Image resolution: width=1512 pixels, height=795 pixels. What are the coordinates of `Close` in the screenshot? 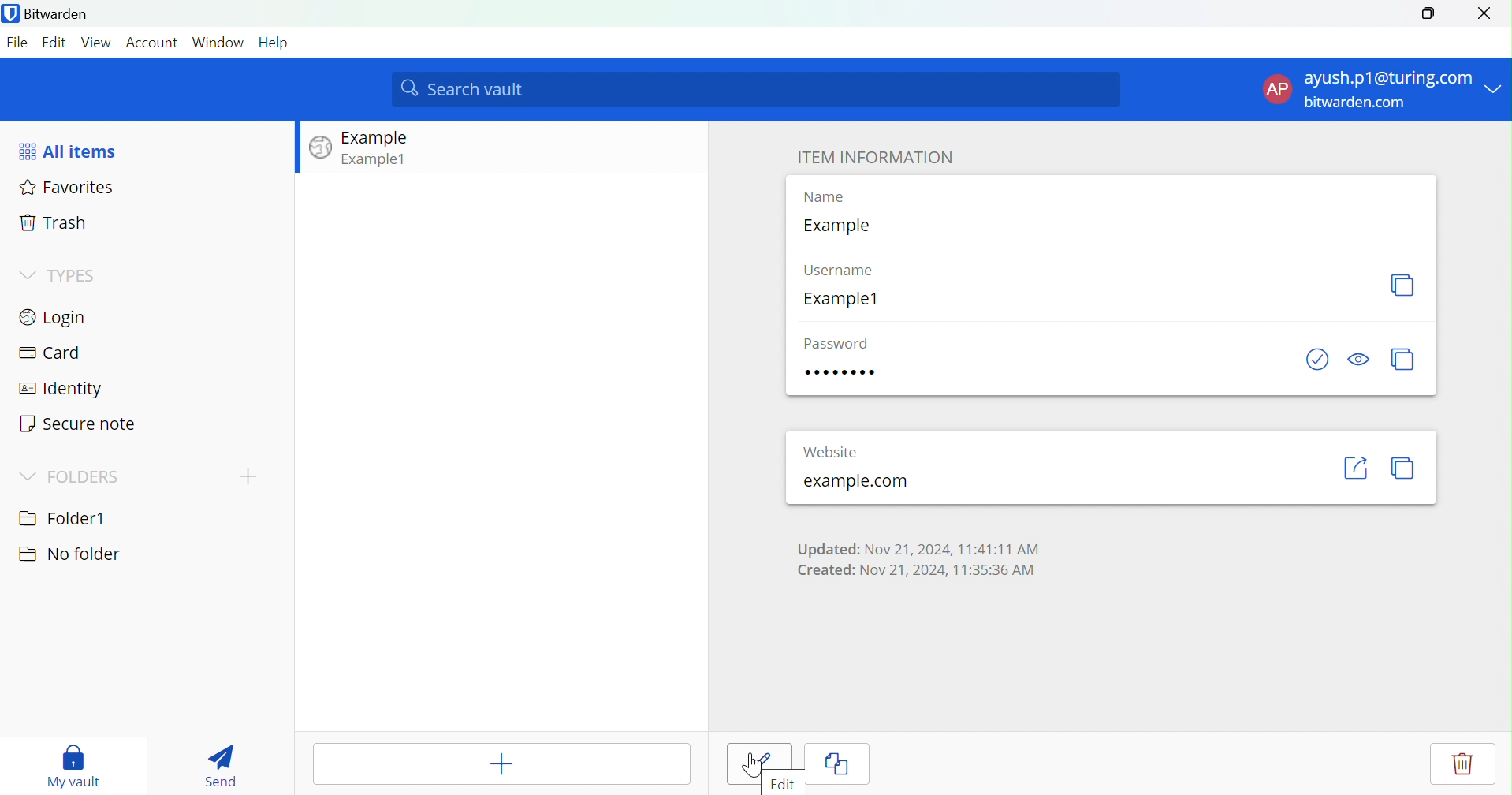 It's located at (1490, 13).